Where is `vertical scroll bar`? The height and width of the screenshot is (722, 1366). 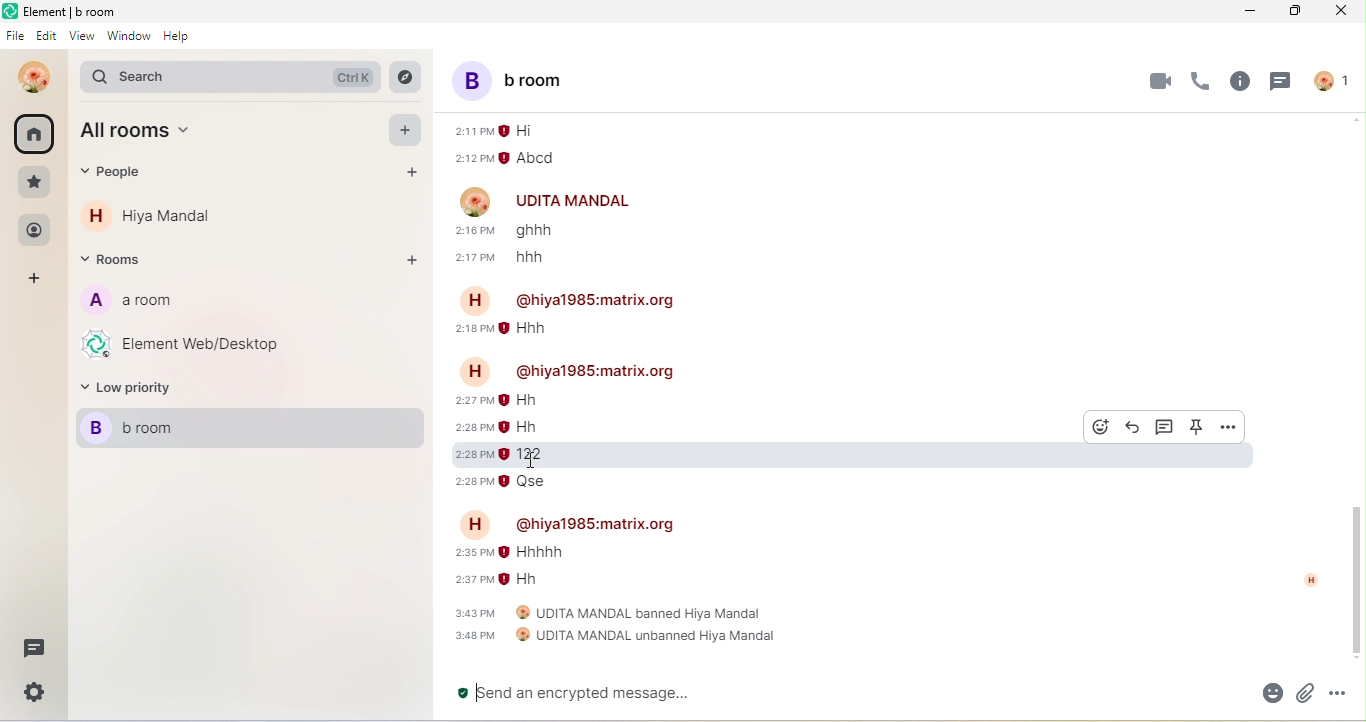 vertical scroll bar is located at coordinates (1353, 578).